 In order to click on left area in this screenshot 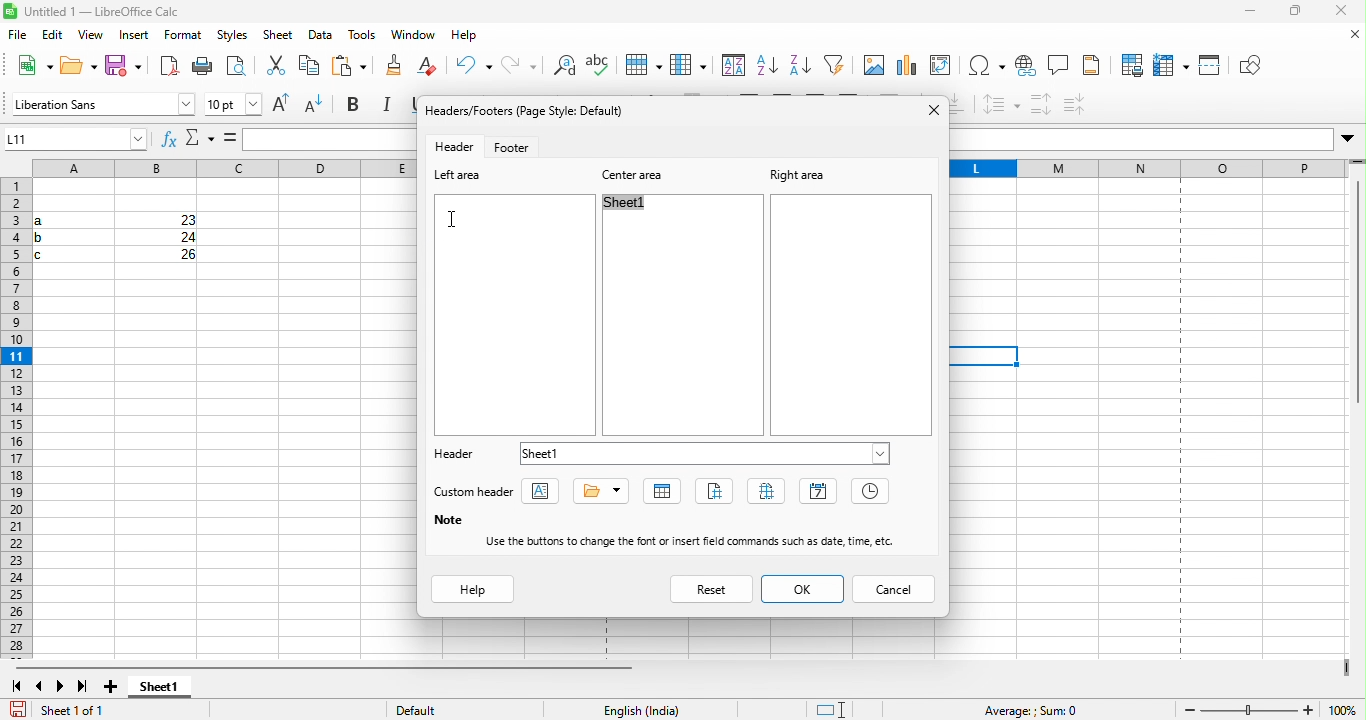, I will do `click(467, 177)`.